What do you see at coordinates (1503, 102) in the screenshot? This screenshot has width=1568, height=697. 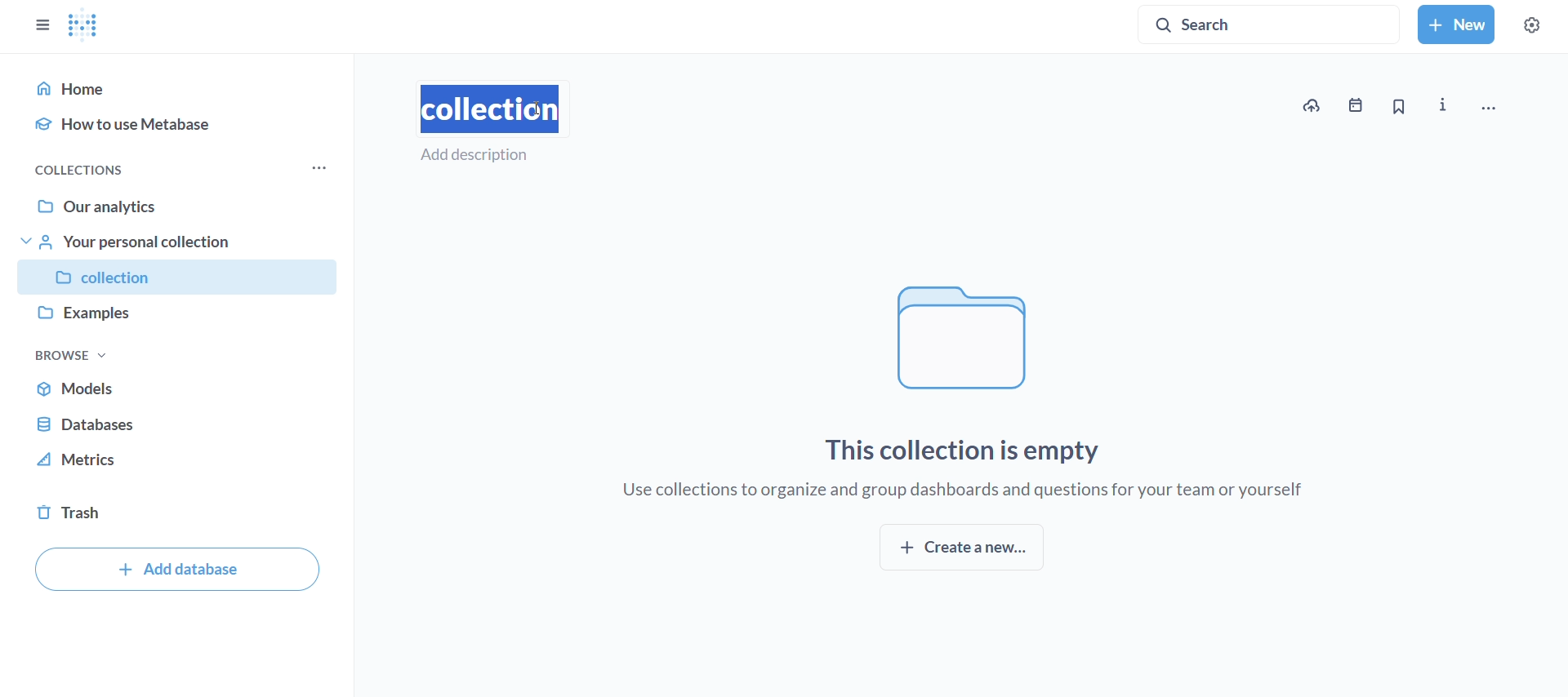 I see `move, trash and more` at bounding box center [1503, 102].